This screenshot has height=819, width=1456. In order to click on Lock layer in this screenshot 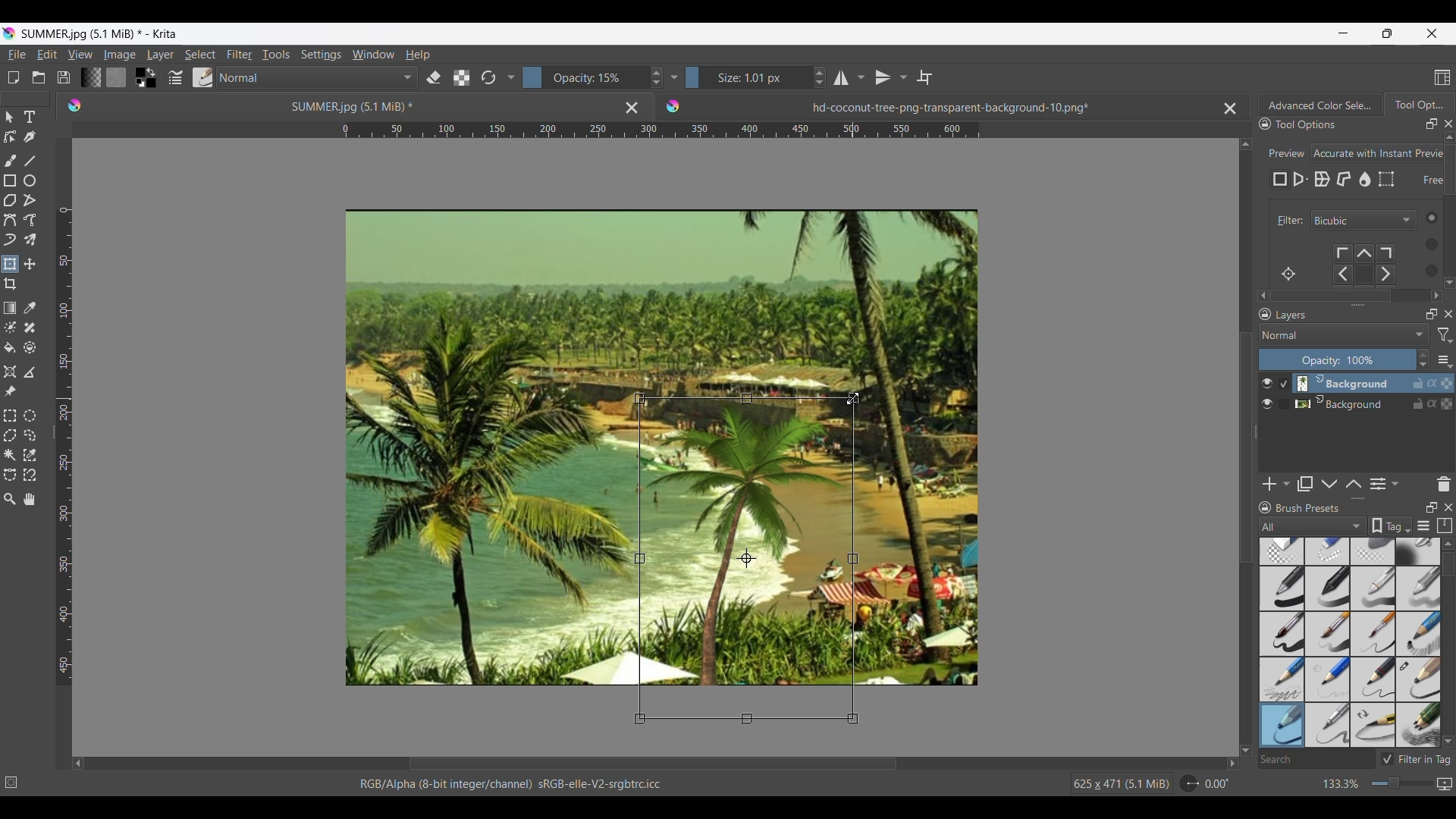, I will do `click(1418, 403)`.